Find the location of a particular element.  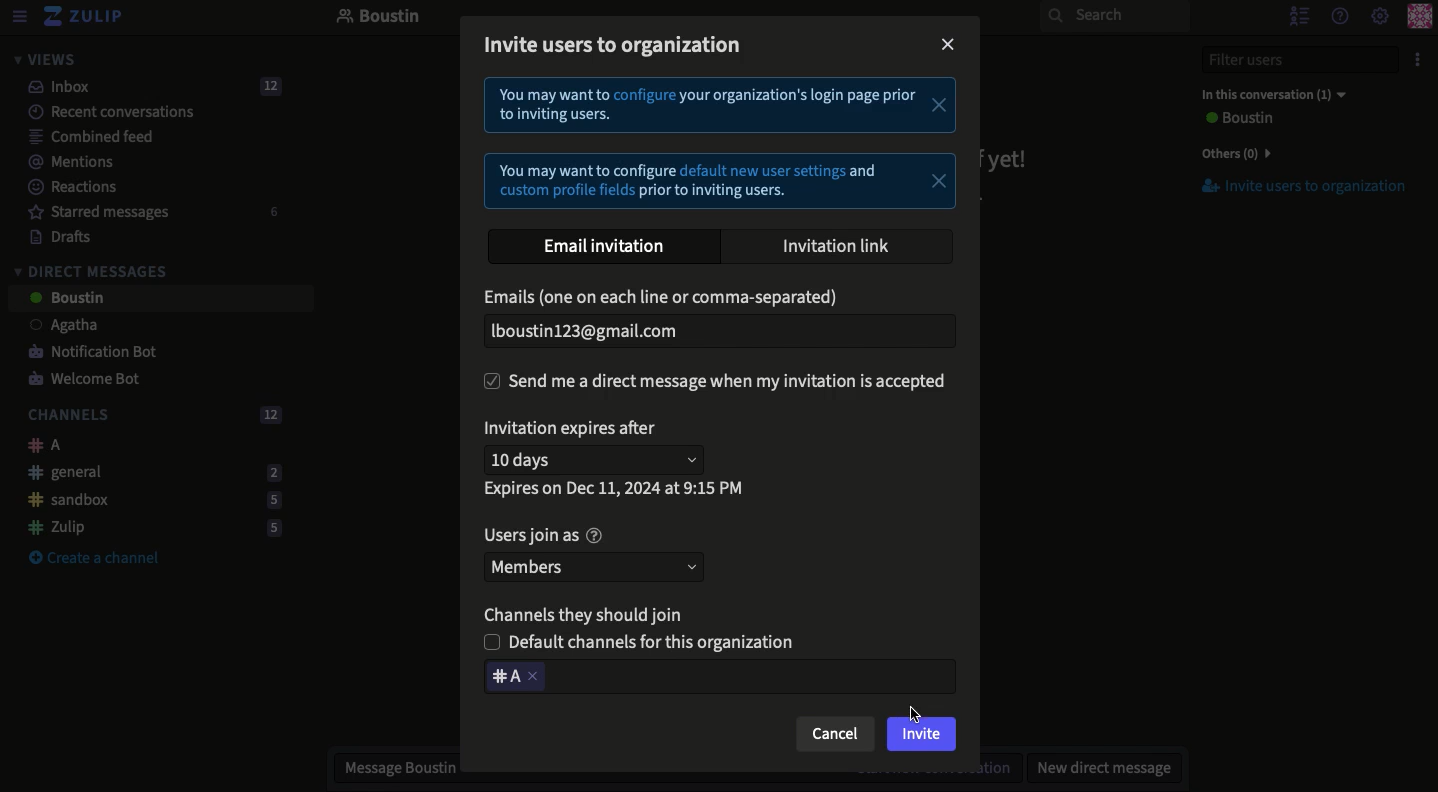

Users join as is located at coordinates (542, 536).